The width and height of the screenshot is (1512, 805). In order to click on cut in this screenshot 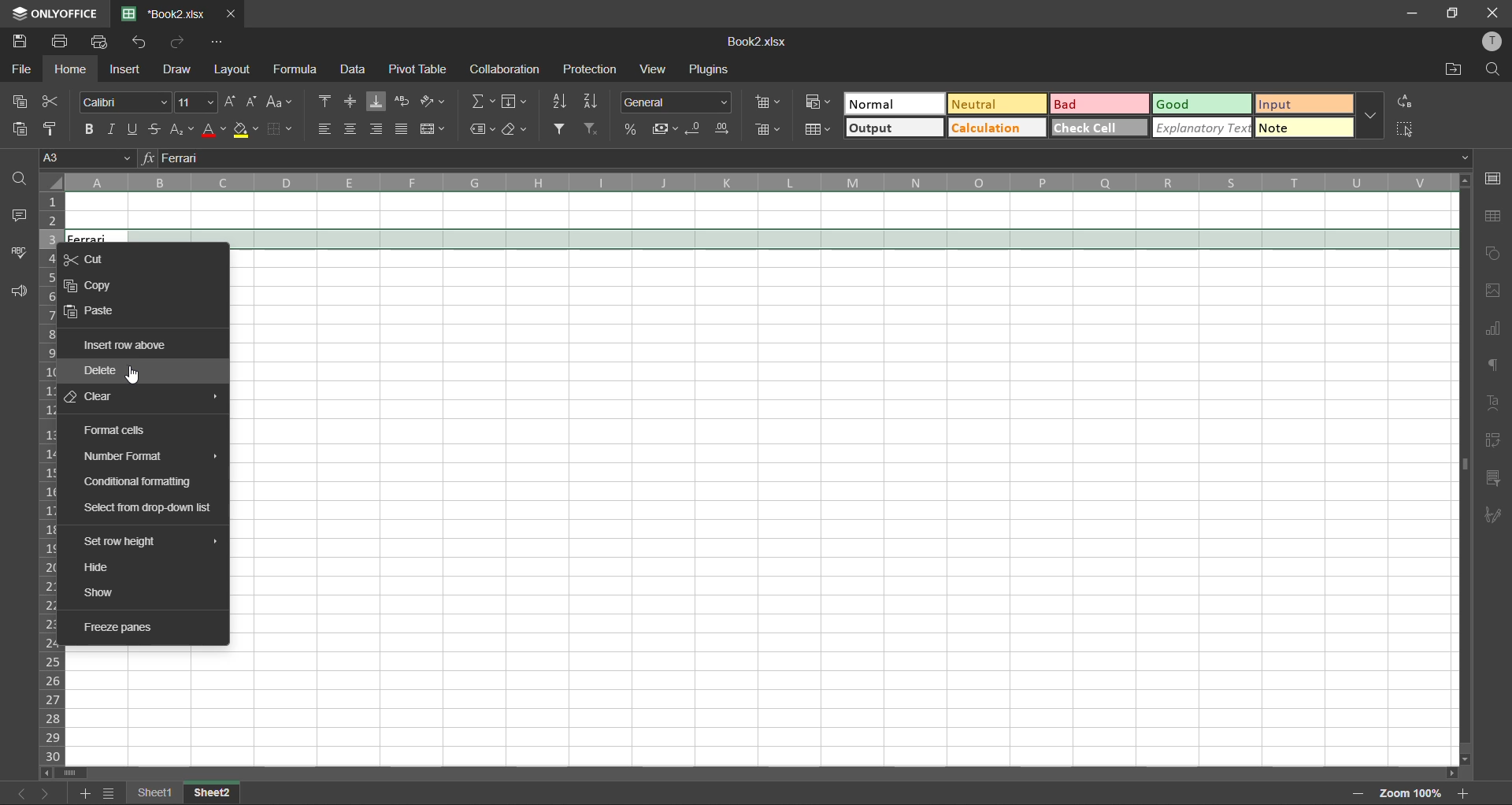, I will do `click(54, 99)`.